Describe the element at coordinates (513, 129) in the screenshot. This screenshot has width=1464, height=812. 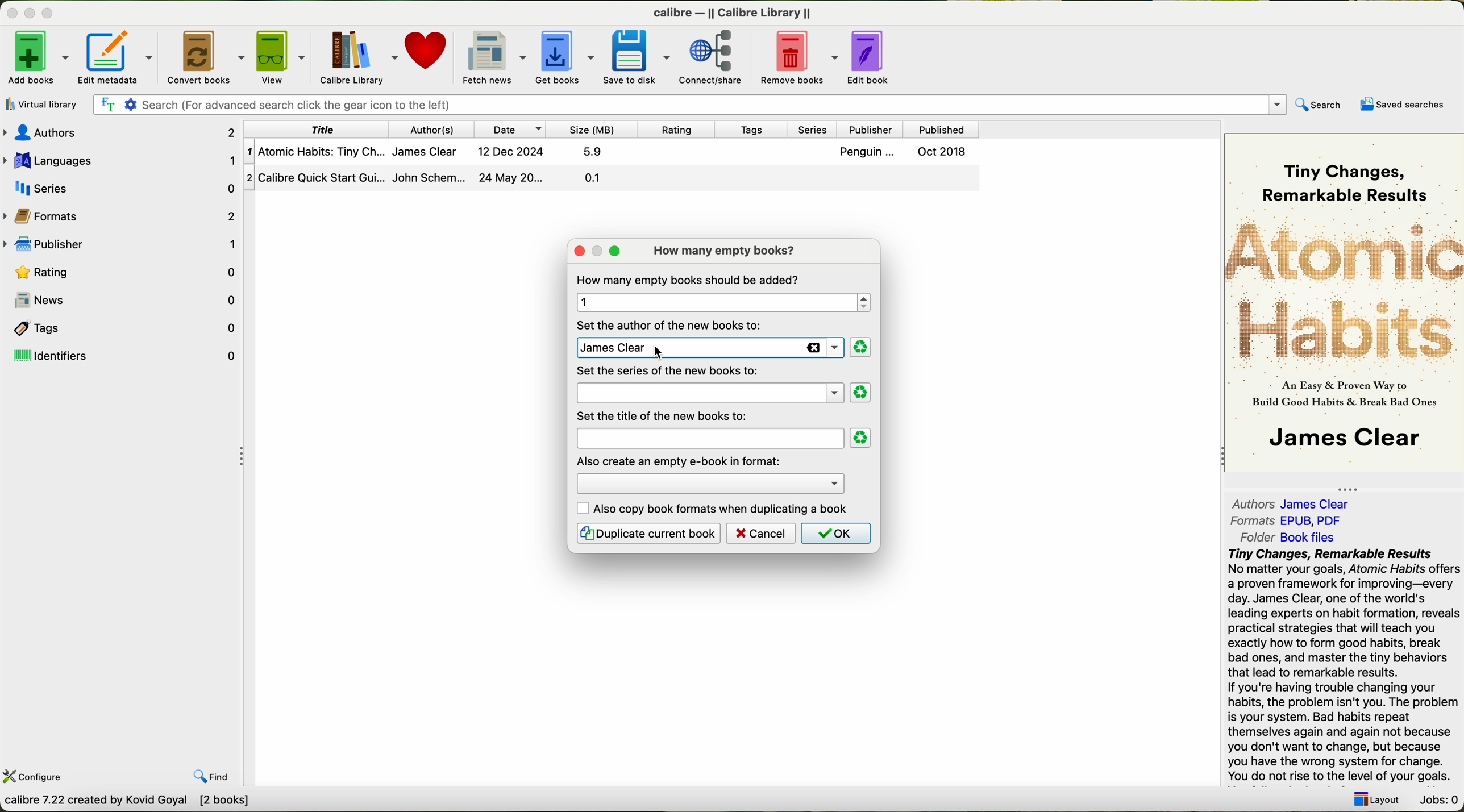
I see `date` at that location.